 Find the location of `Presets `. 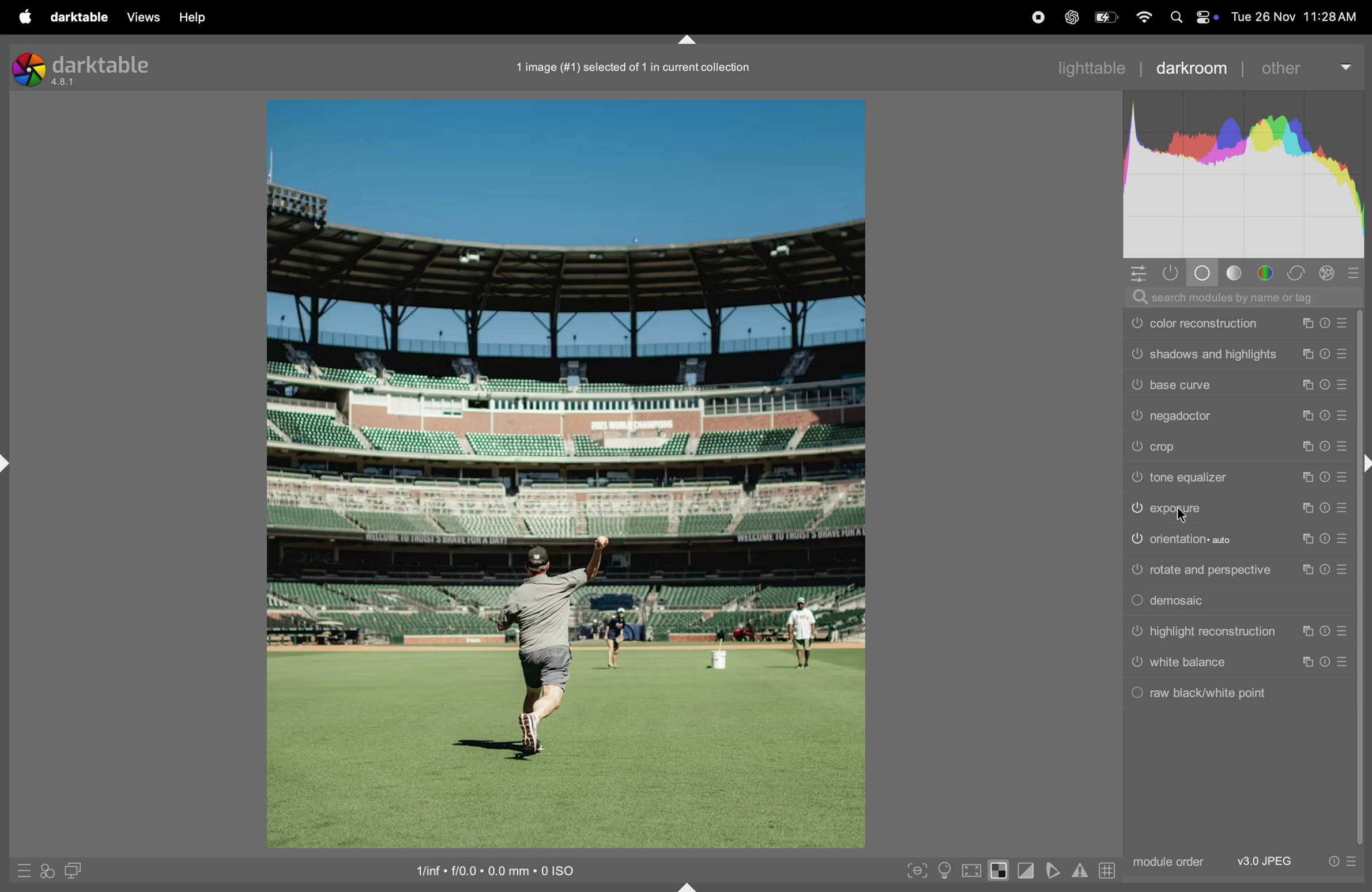

Presets  is located at coordinates (1342, 569).